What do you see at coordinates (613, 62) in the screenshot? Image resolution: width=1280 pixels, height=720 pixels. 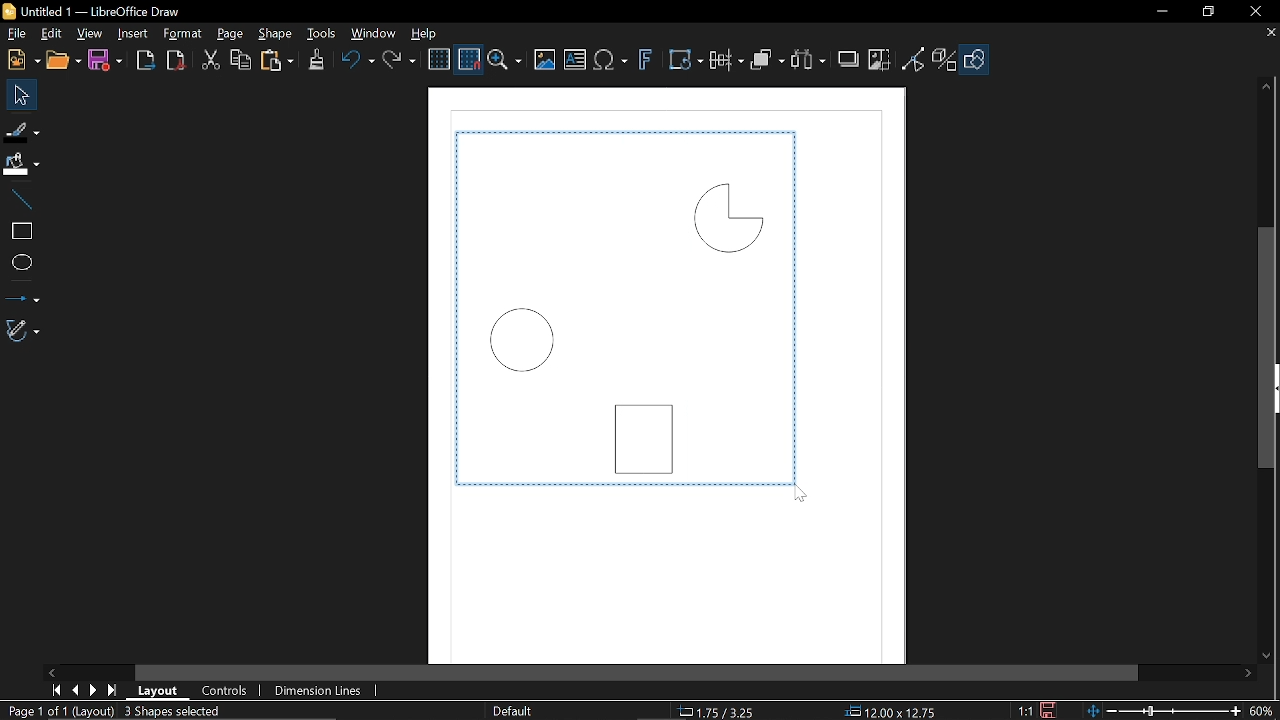 I see `insert equation` at bounding box center [613, 62].